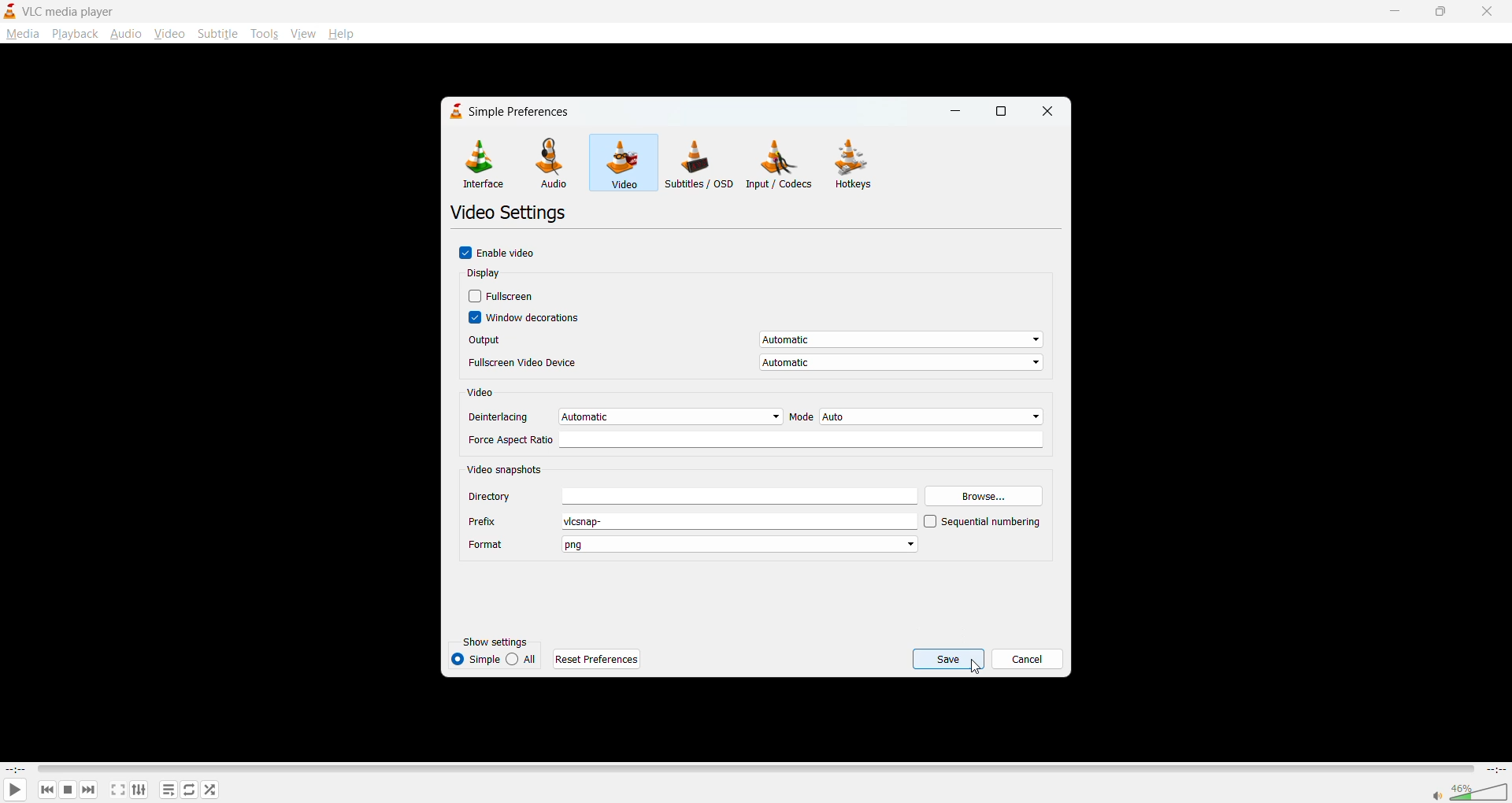 The image size is (1512, 803). Describe the element at coordinates (340, 33) in the screenshot. I see `help` at that location.